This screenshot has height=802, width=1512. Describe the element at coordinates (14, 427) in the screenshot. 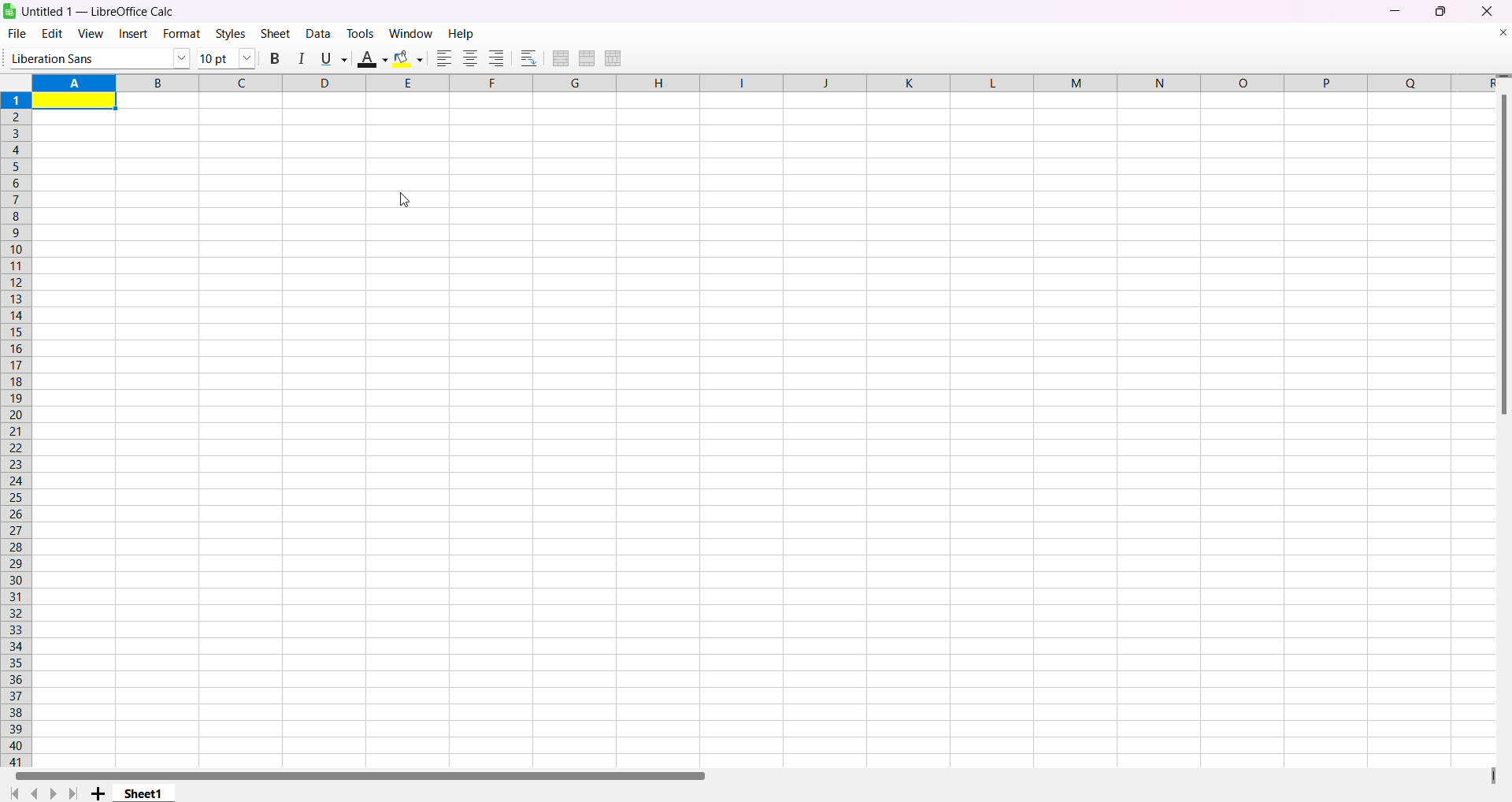

I see `row labels` at that location.